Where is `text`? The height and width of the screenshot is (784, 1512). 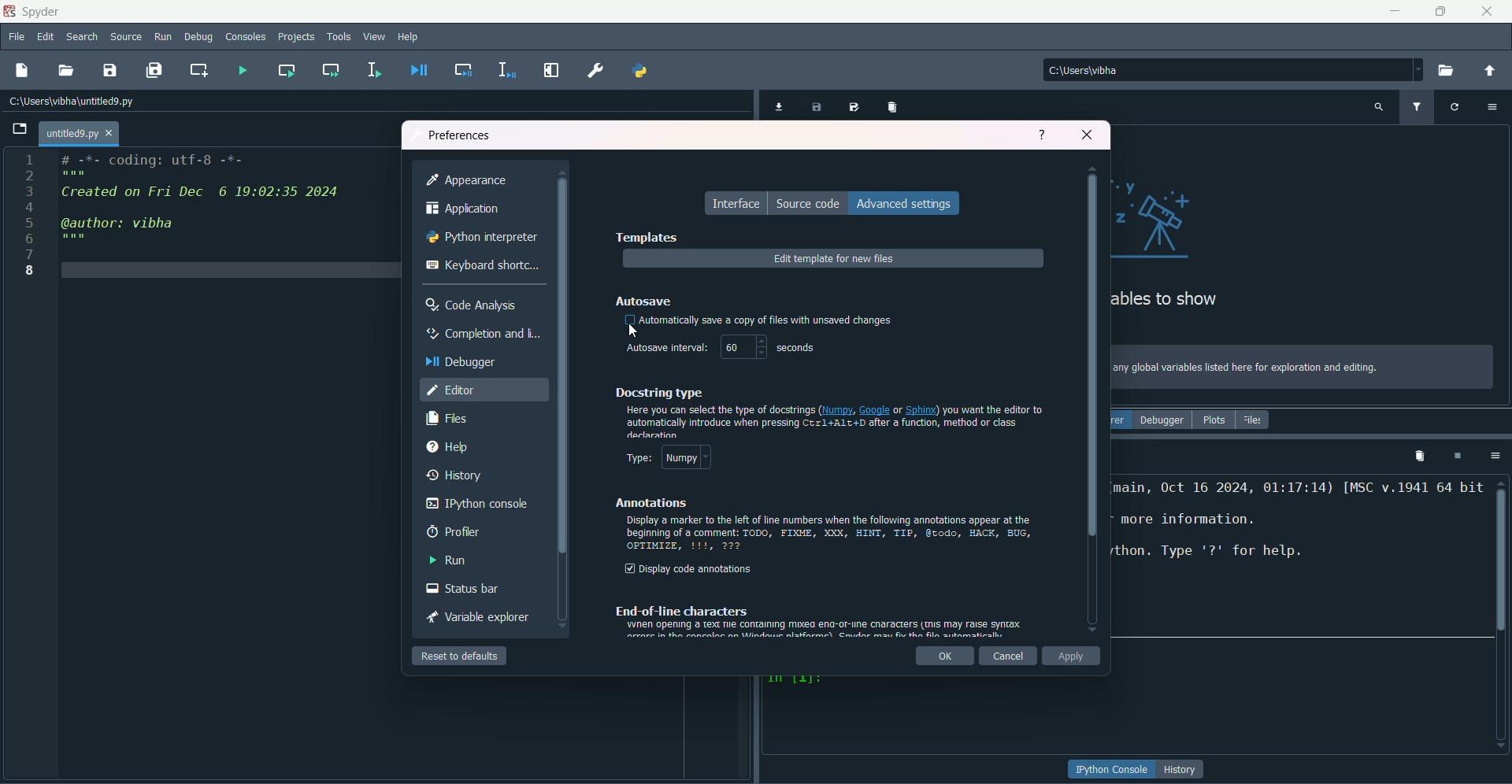 text is located at coordinates (758, 321).